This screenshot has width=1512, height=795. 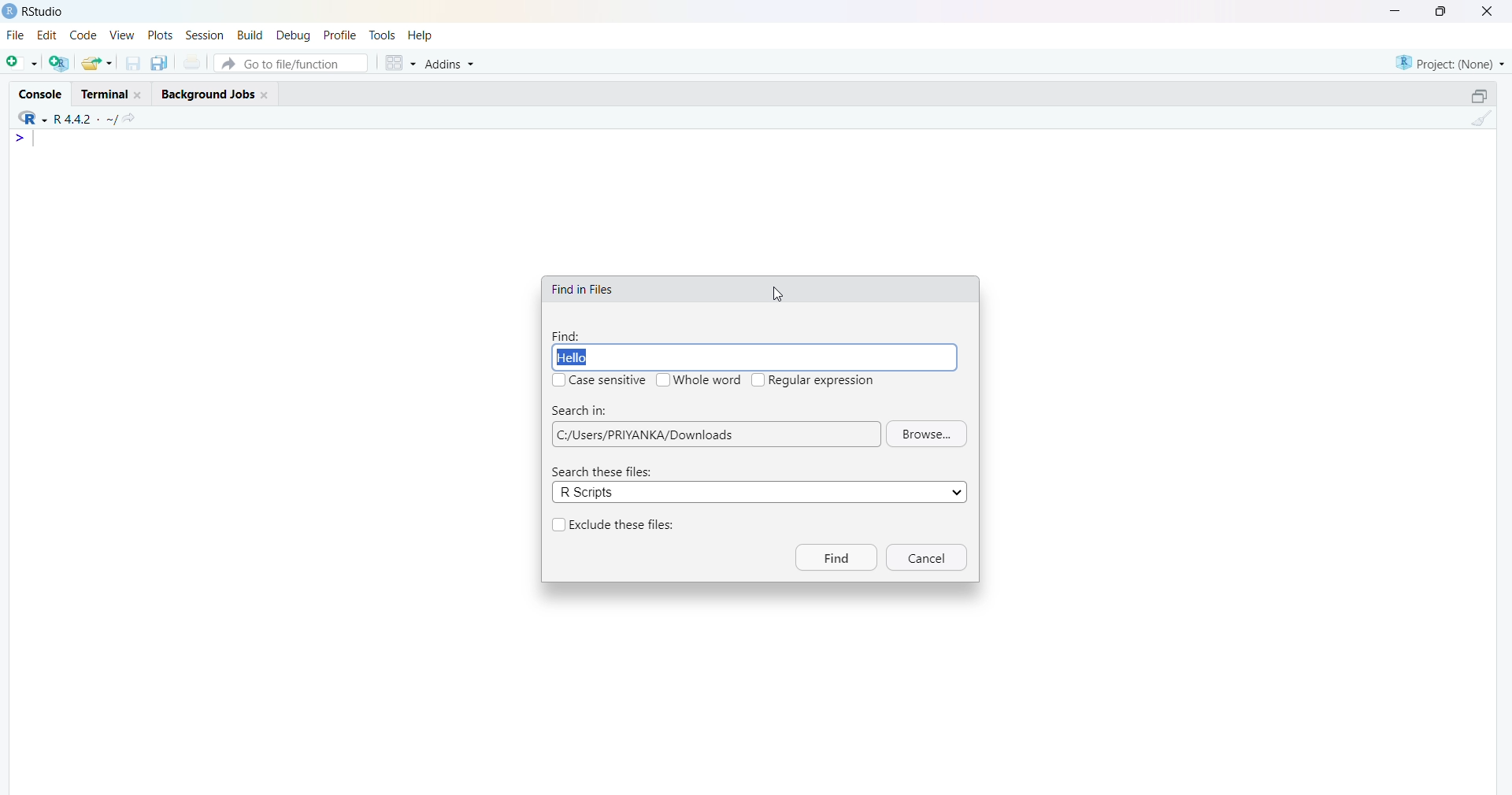 I want to click on | C:/Users/PRIYANKA/Downloads, so click(x=717, y=434).